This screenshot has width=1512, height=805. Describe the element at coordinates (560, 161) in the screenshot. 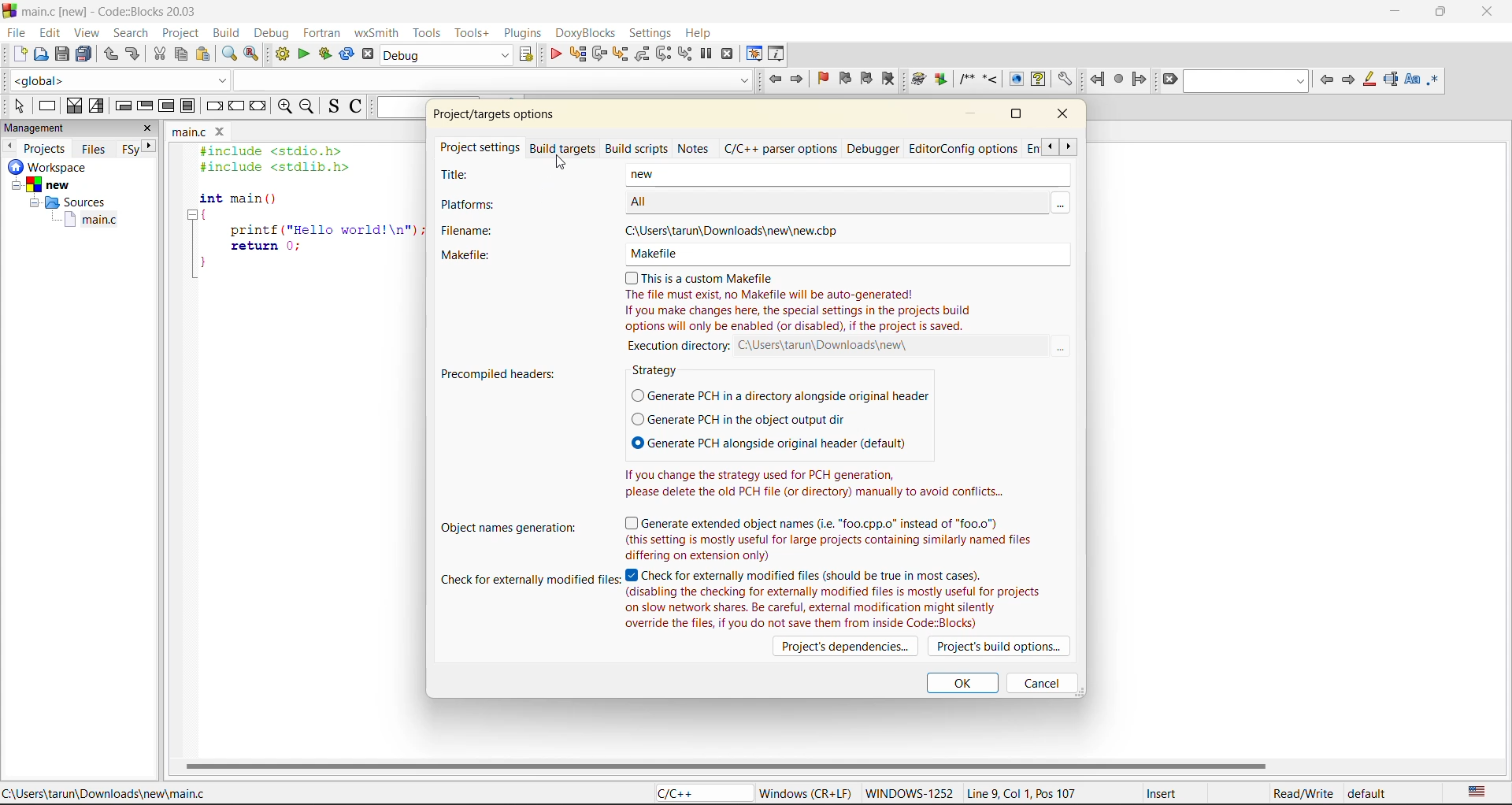

I see `curosr` at that location.